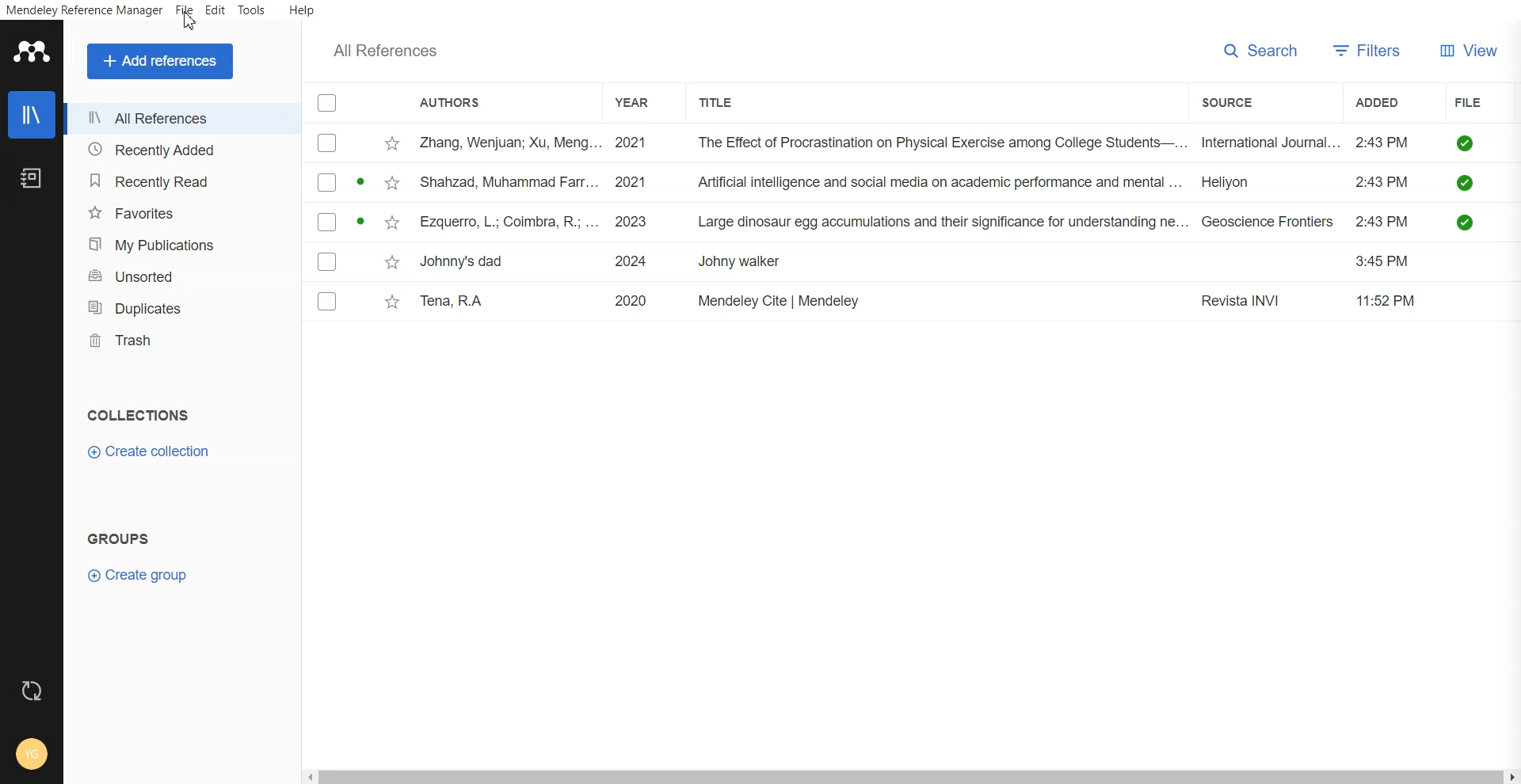 The width and height of the screenshot is (1521, 784). What do you see at coordinates (177, 243) in the screenshot?
I see `My Publication` at bounding box center [177, 243].